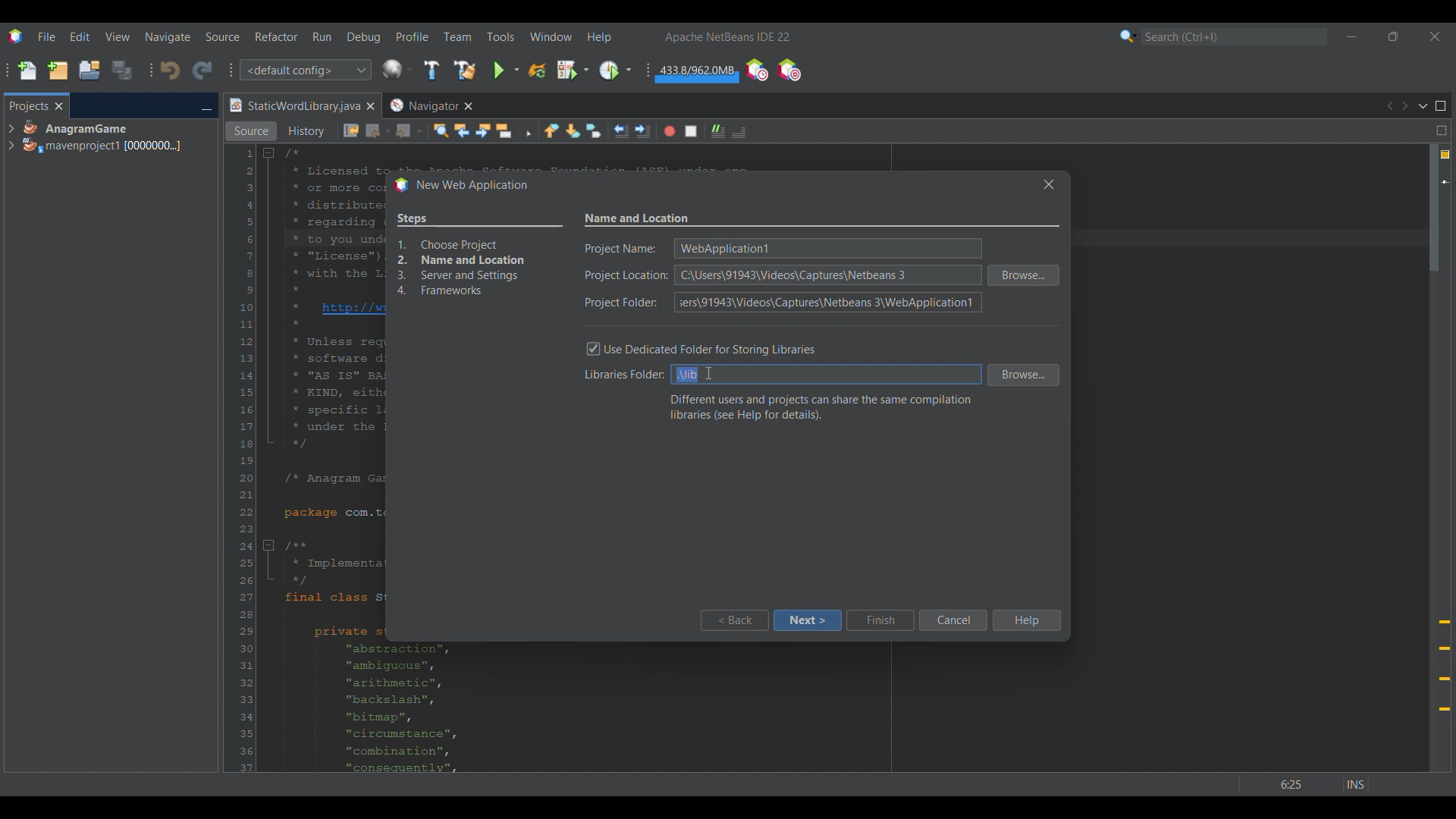  What do you see at coordinates (1434, 458) in the screenshot?
I see `Vertical slide bar` at bounding box center [1434, 458].